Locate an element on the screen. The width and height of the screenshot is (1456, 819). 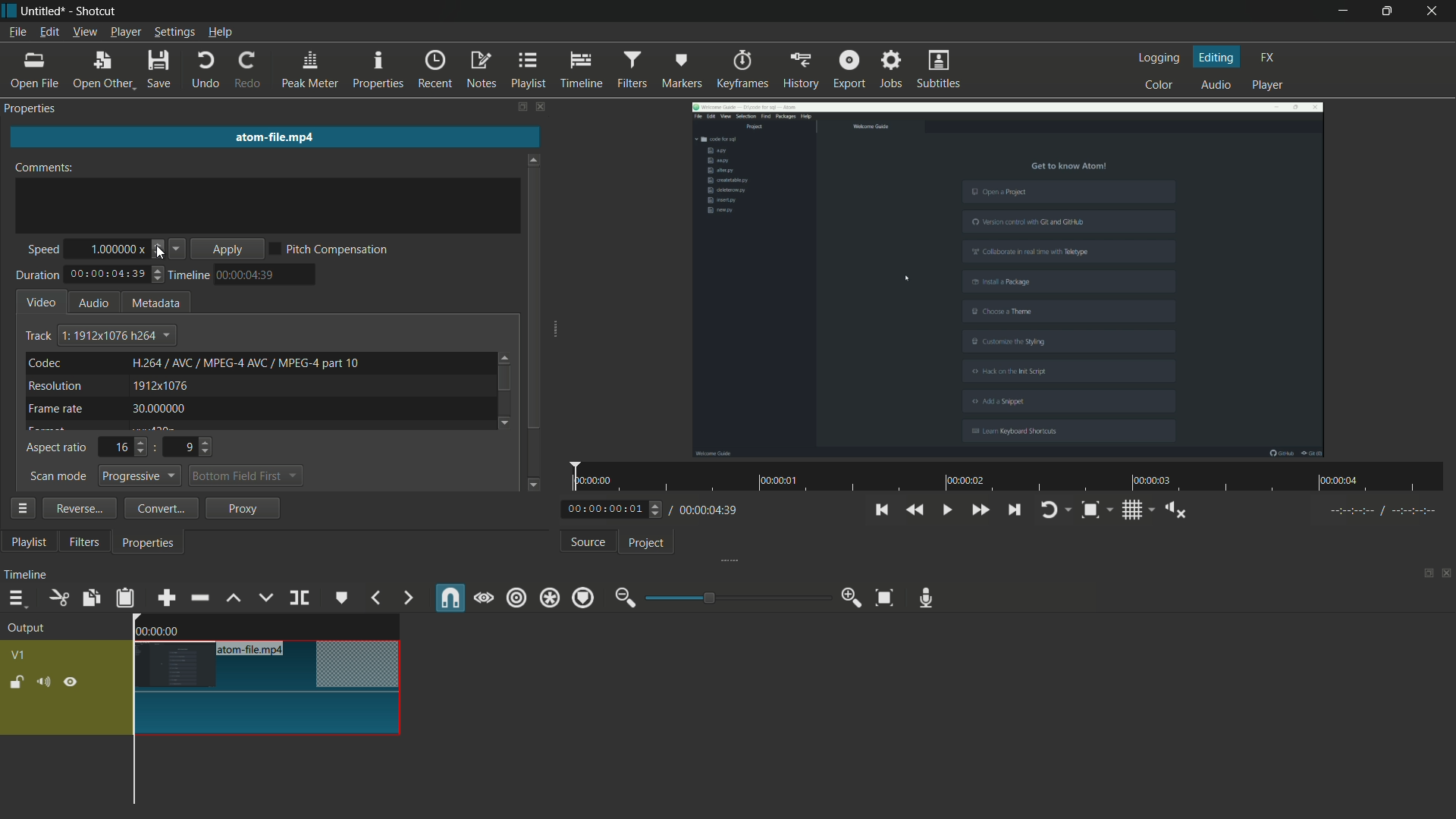
project is located at coordinates (647, 543).